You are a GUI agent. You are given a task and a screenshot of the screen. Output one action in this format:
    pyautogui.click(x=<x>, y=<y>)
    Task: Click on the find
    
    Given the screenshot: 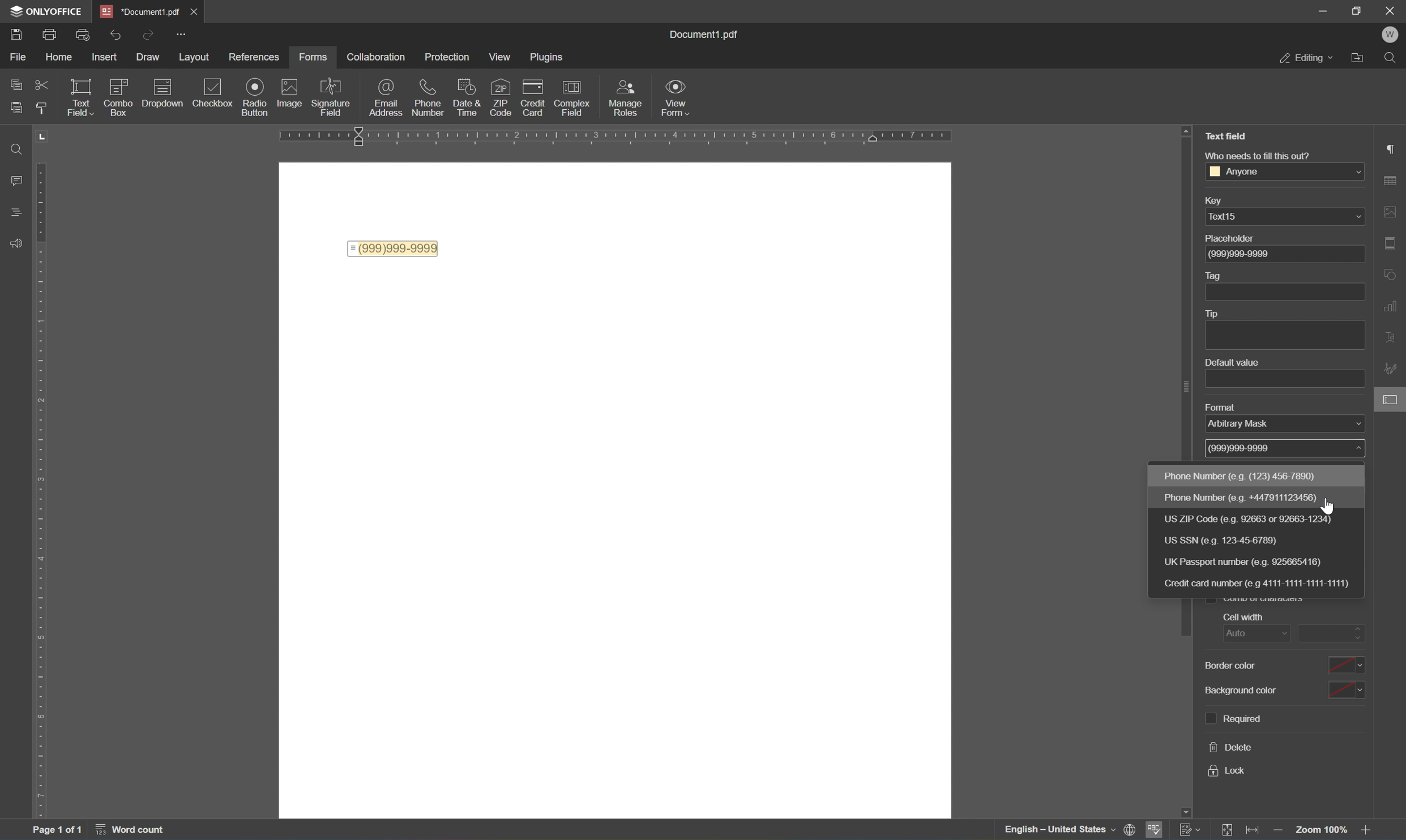 What is the action you would take?
    pyautogui.click(x=11, y=150)
    